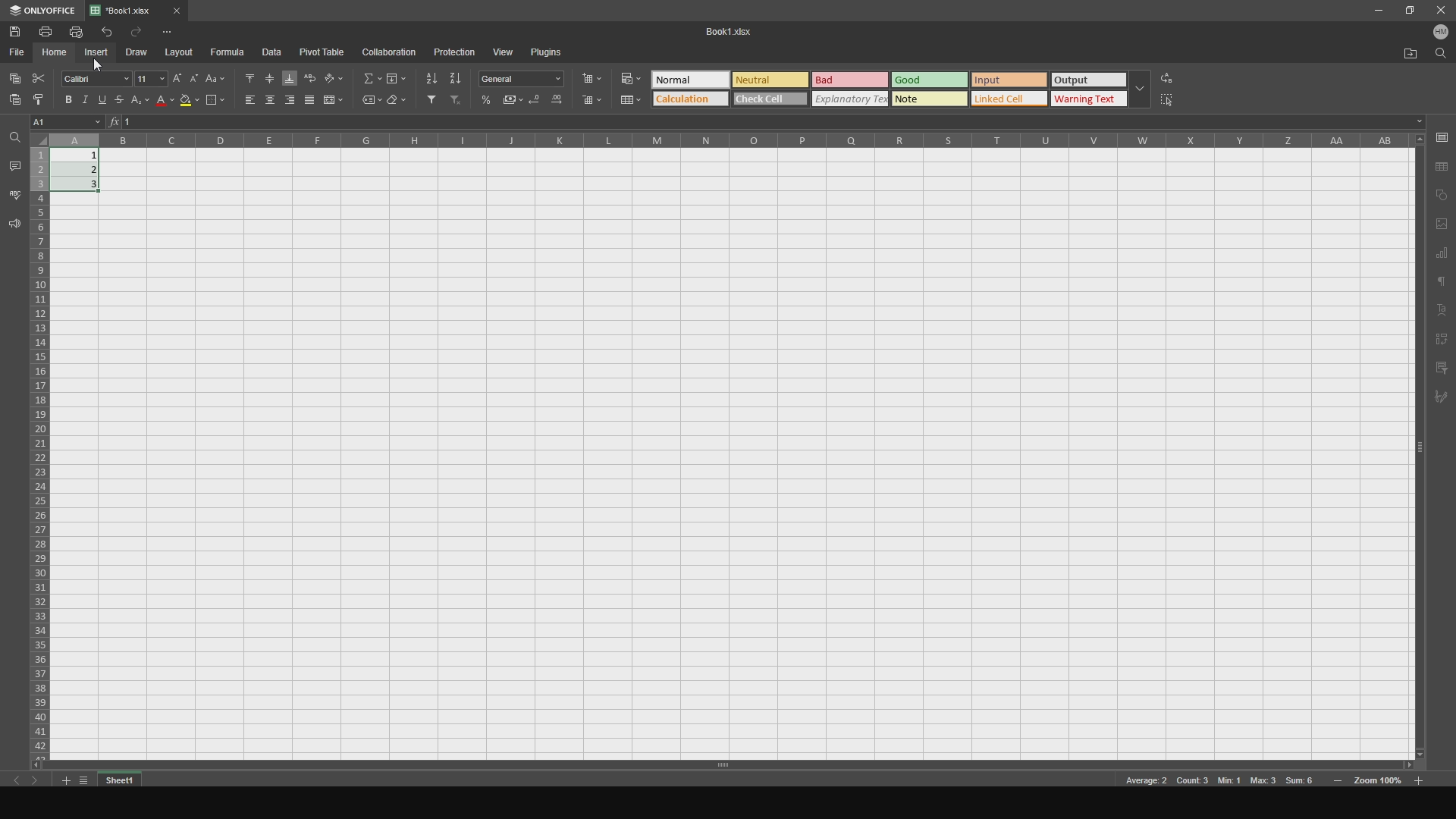 Image resolution: width=1456 pixels, height=819 pixels. Describe the element at coordinates (396, 77) in the screenshot. I see `fill` at that location.